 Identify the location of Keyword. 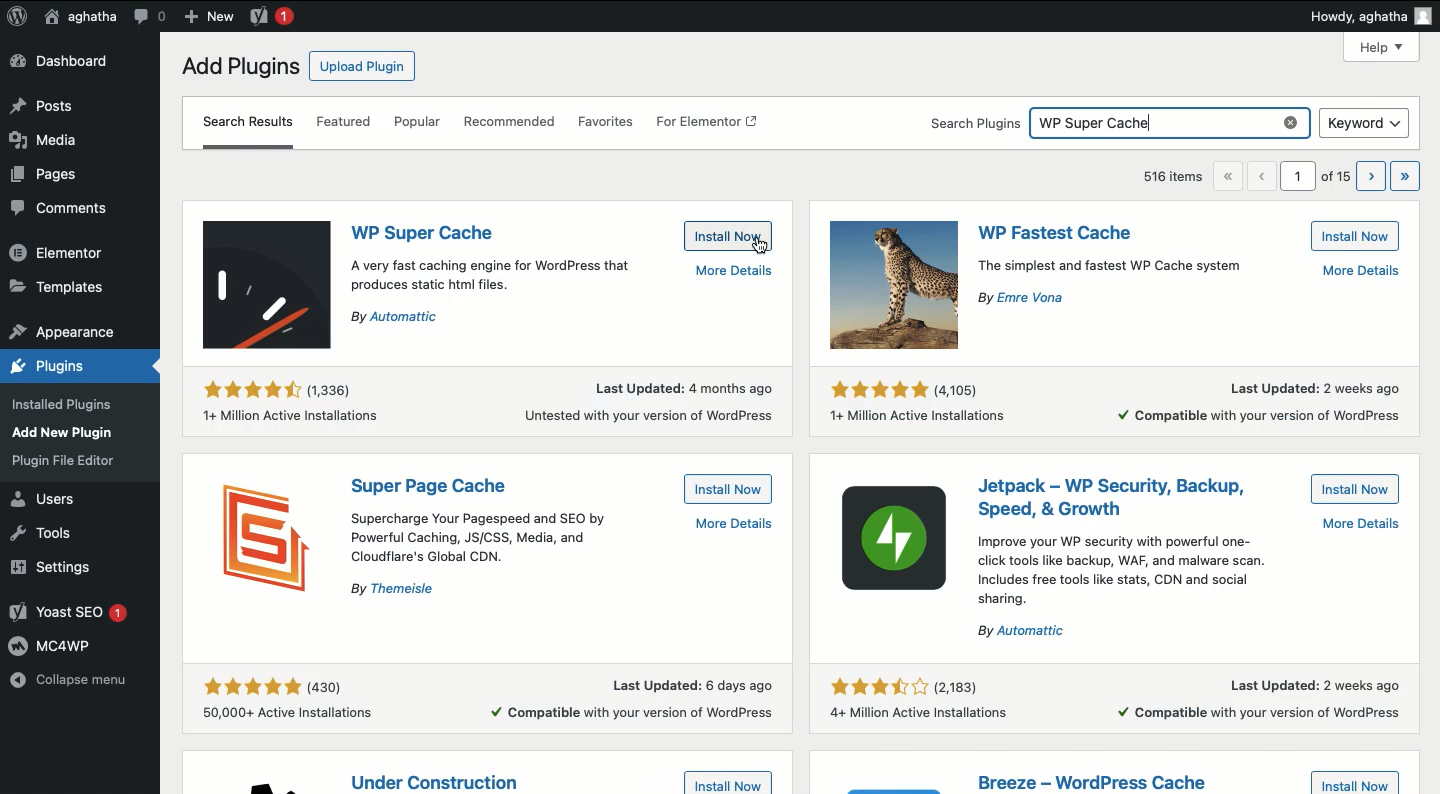
(1365, 123).